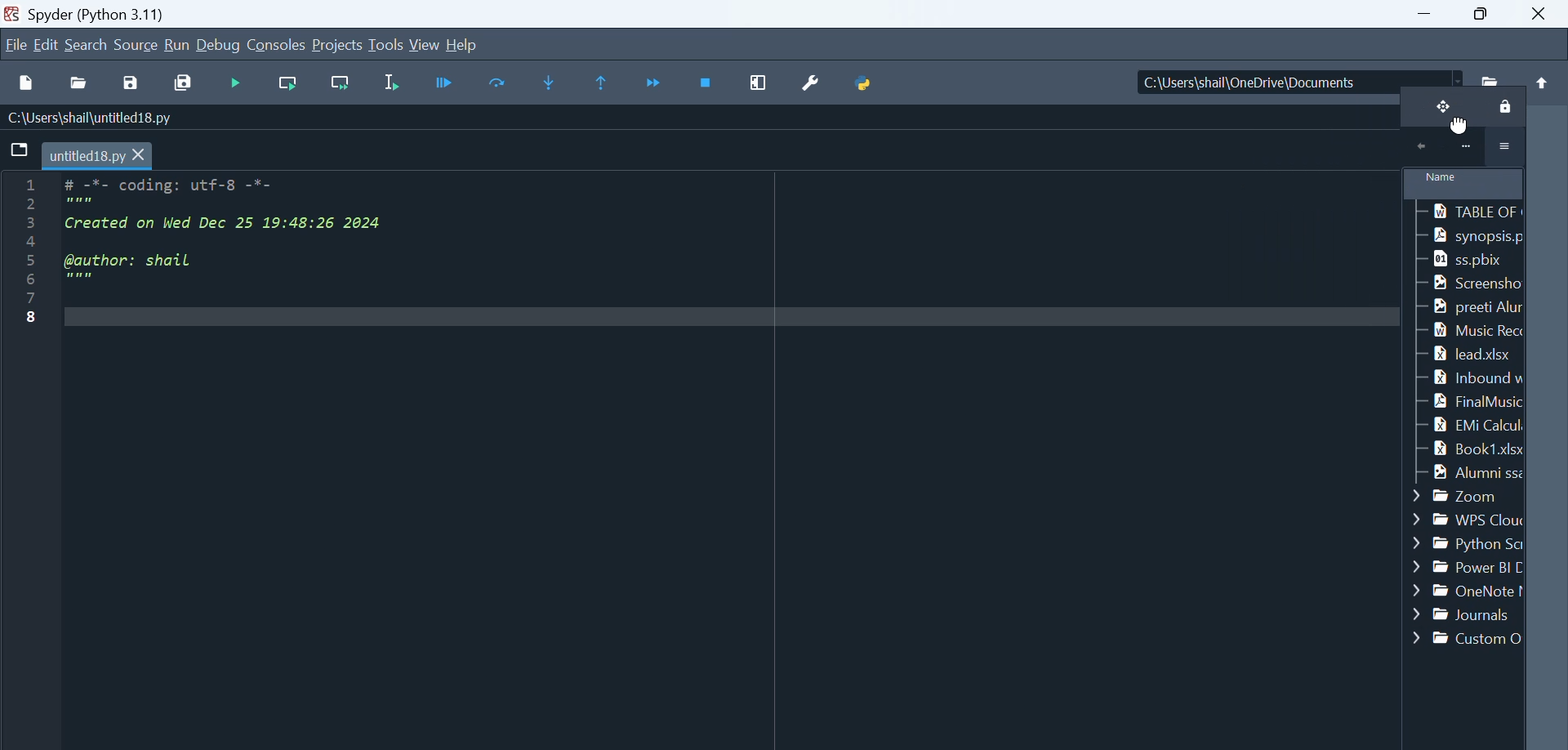 This screenshot has width=1568, height=750. Describe the element at coordinates (817, 81) in the screenshot. I see `Preferences` at that location.